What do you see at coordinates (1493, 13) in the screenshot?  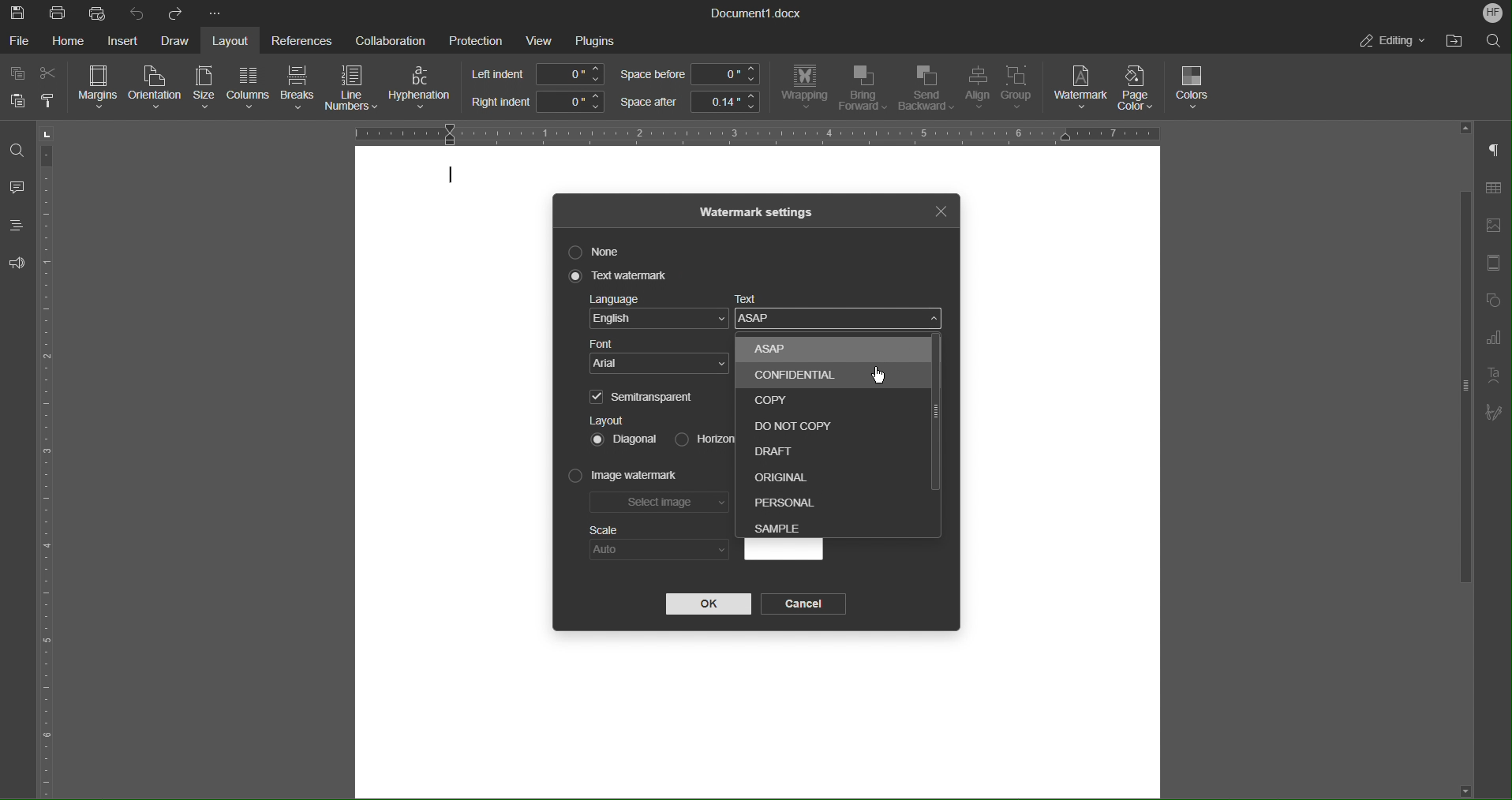 I see `Account` at bounding box center [1493, 13].